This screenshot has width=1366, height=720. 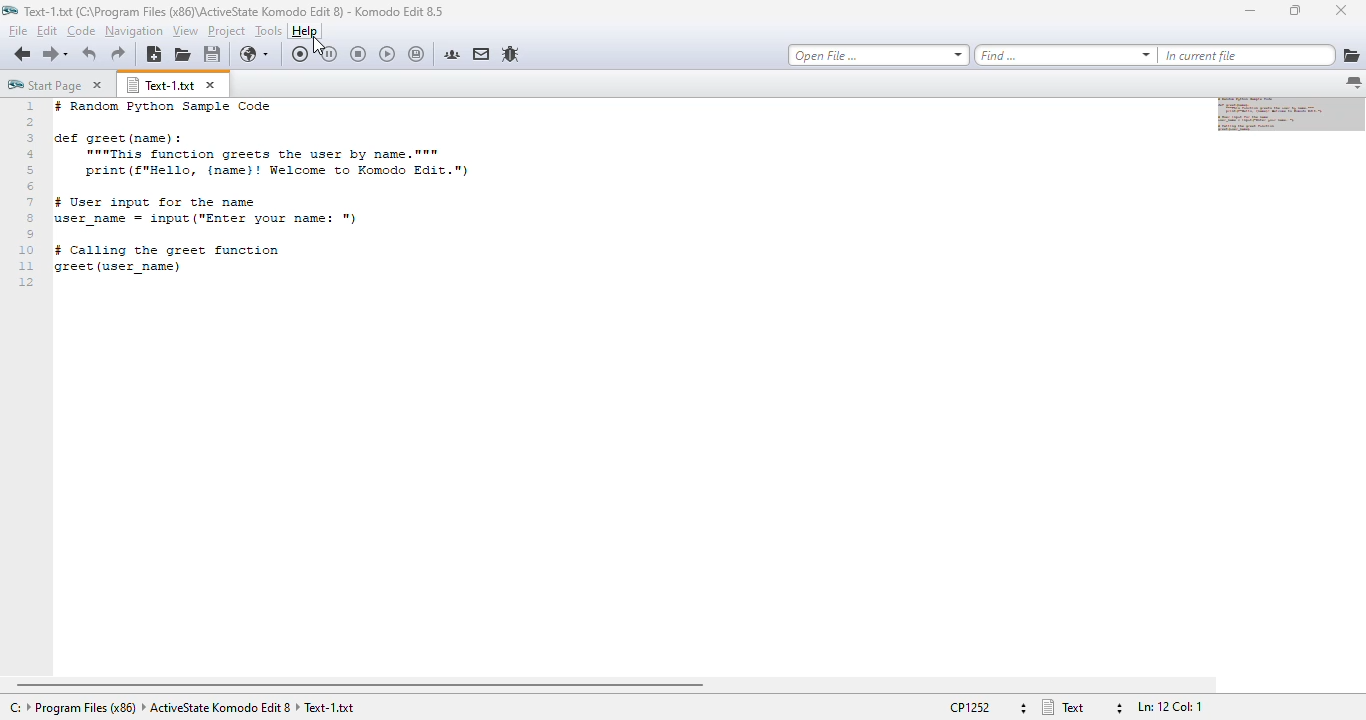 What do you see at coordinates (212, 55) in the screenshot?
I see `save file` at bounding box center [212, 55].